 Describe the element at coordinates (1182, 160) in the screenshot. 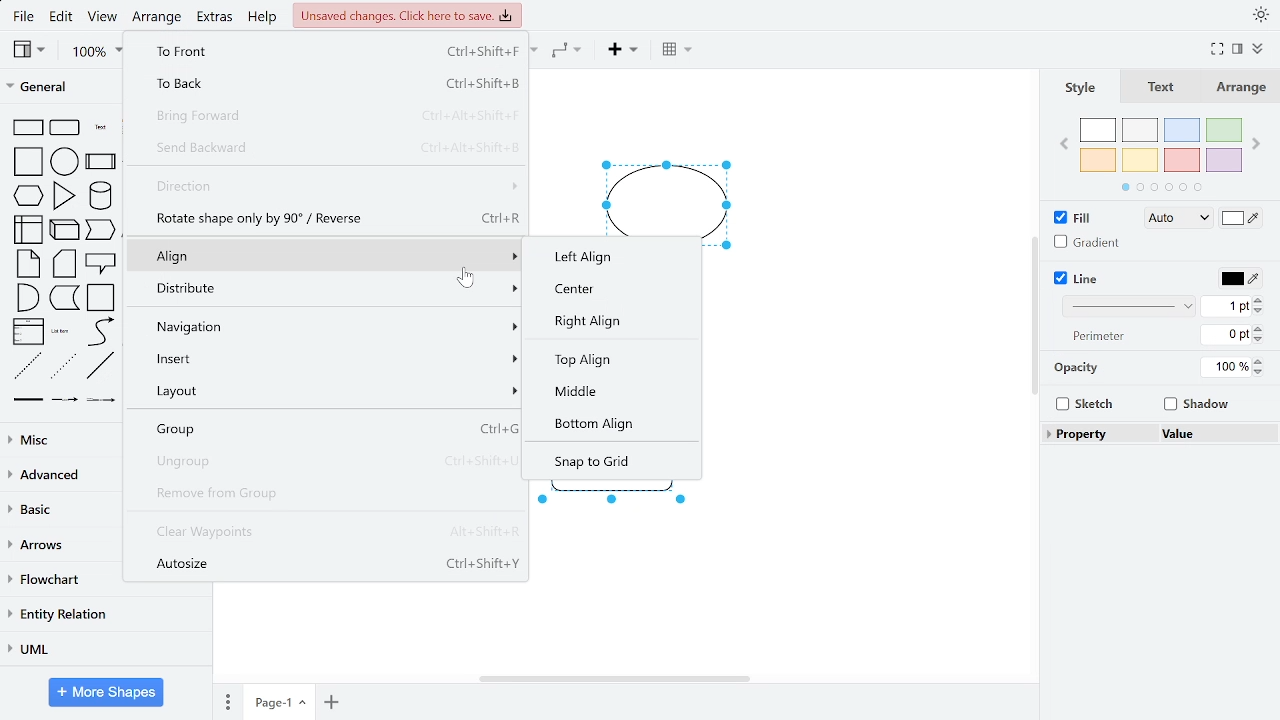

I see `red` at that location.